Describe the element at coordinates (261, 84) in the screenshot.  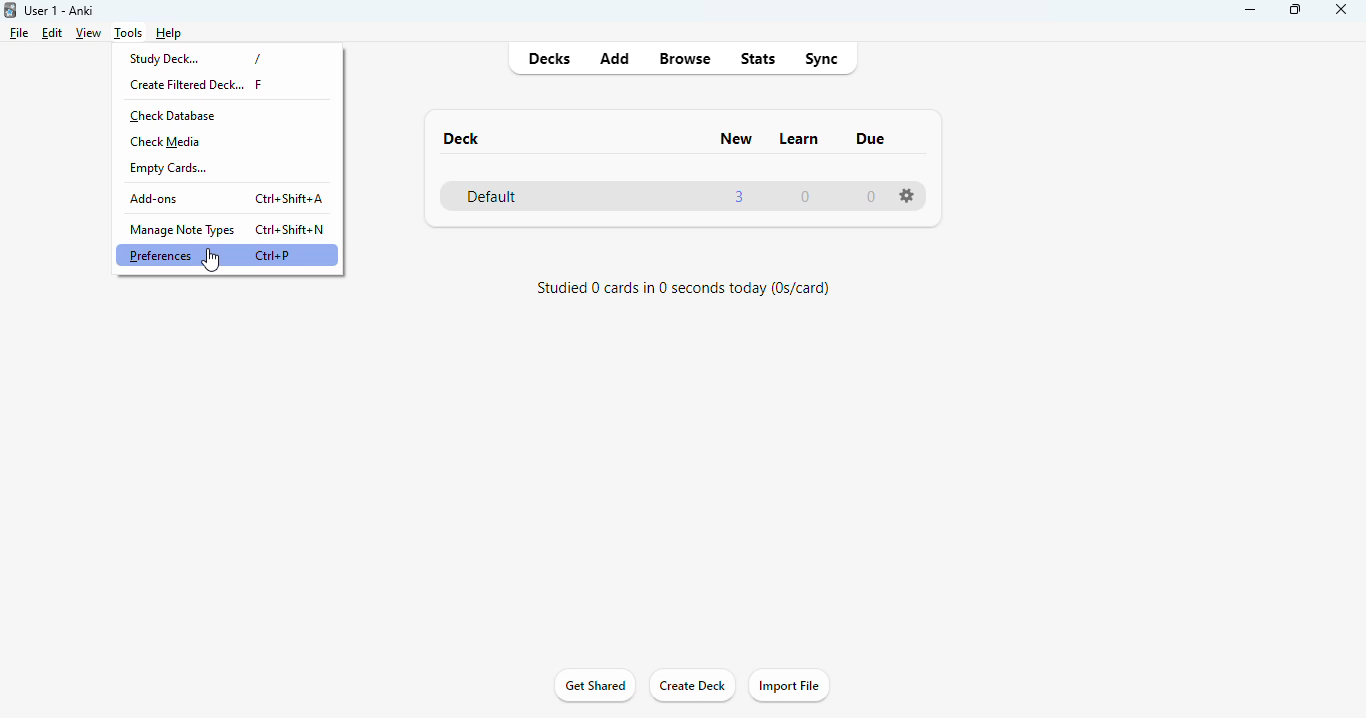
I see `F` at that location.